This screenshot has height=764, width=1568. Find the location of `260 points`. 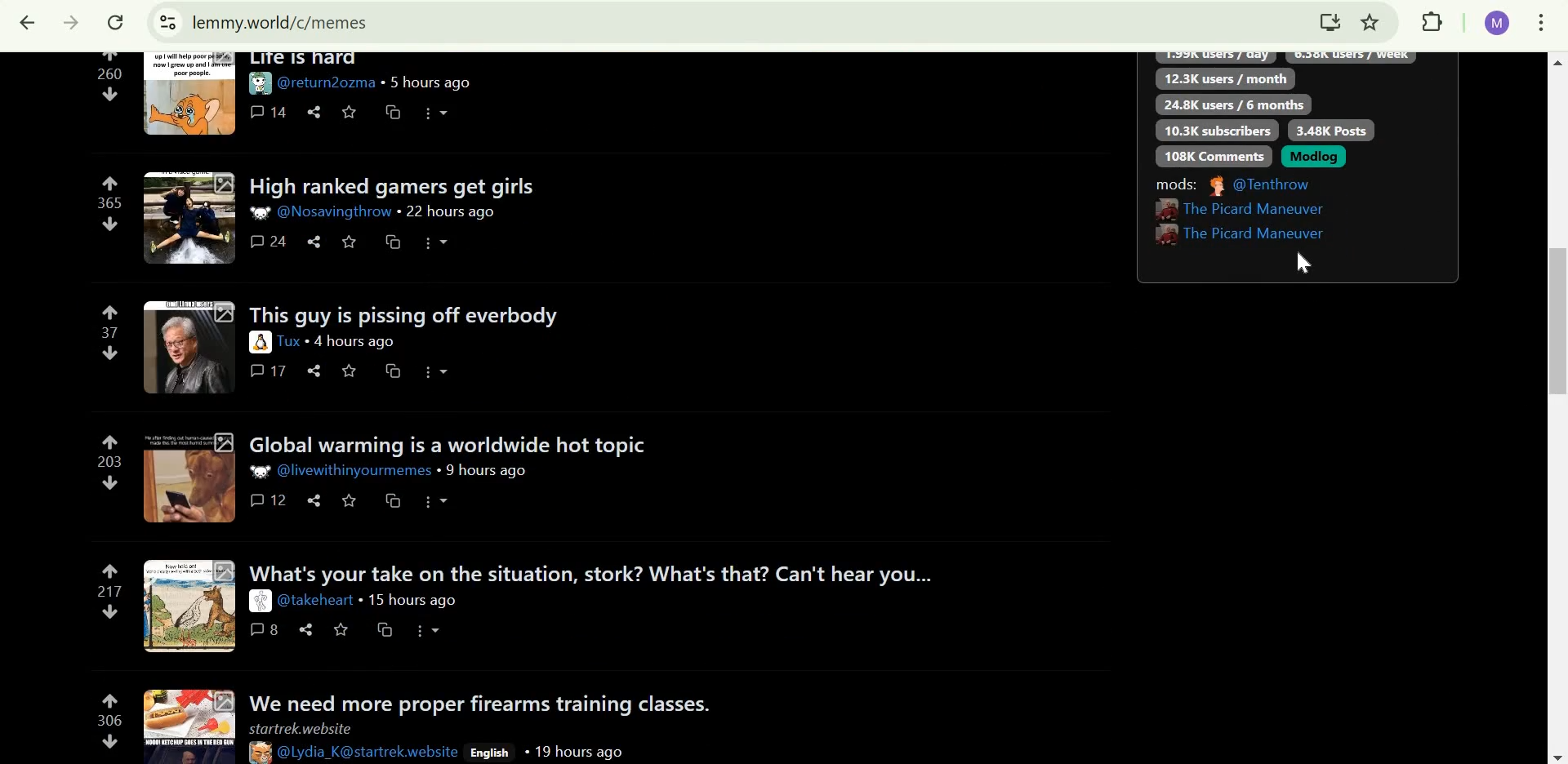

260 points is located at coordinates (109, 73).